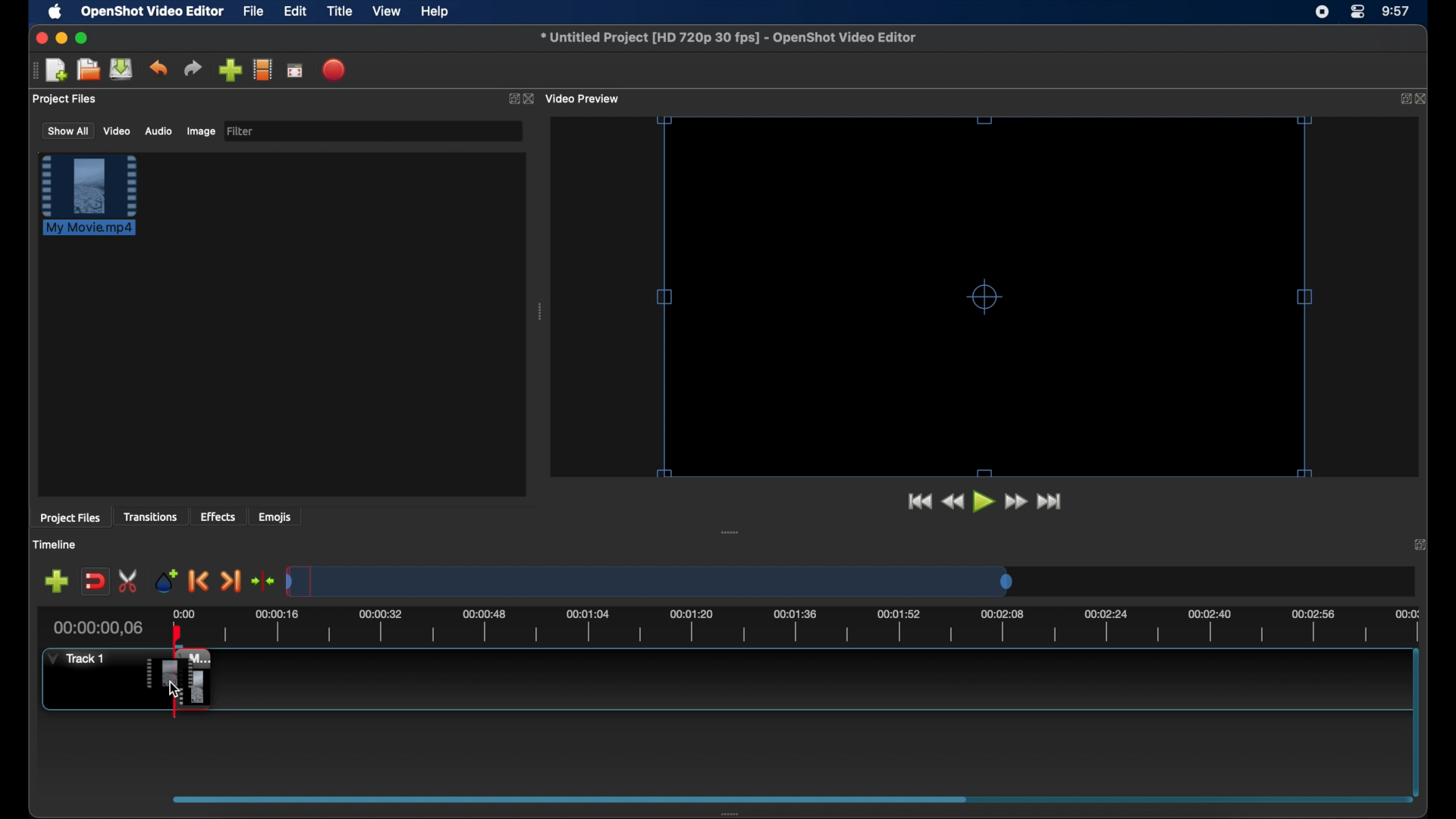  What do you see at coordinates (649, 581) in the screenshot?
I see `timeline scale` at bounding box center [649, 581].